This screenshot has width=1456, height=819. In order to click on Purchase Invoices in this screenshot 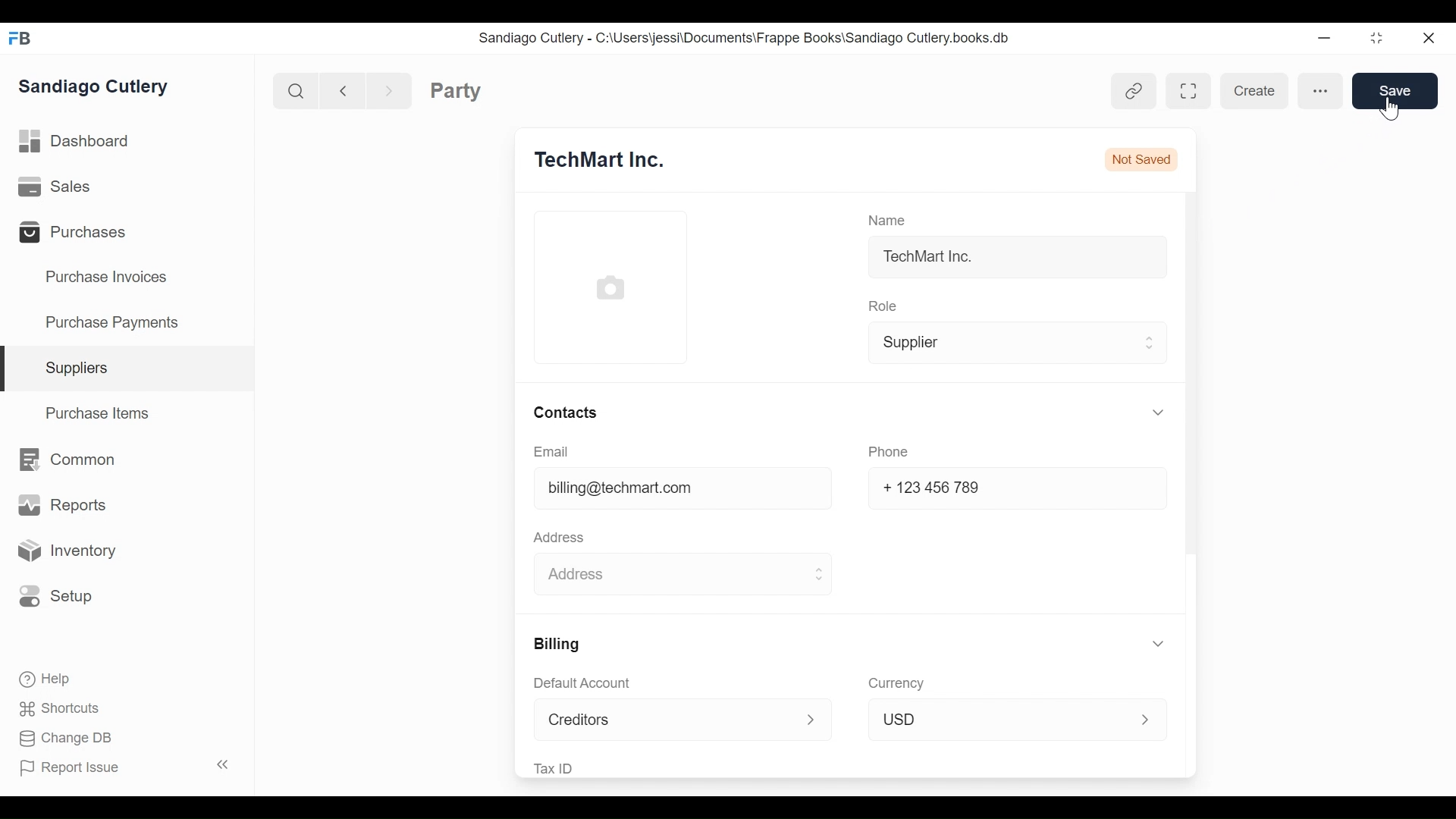, I will do `click(110, 279)`.